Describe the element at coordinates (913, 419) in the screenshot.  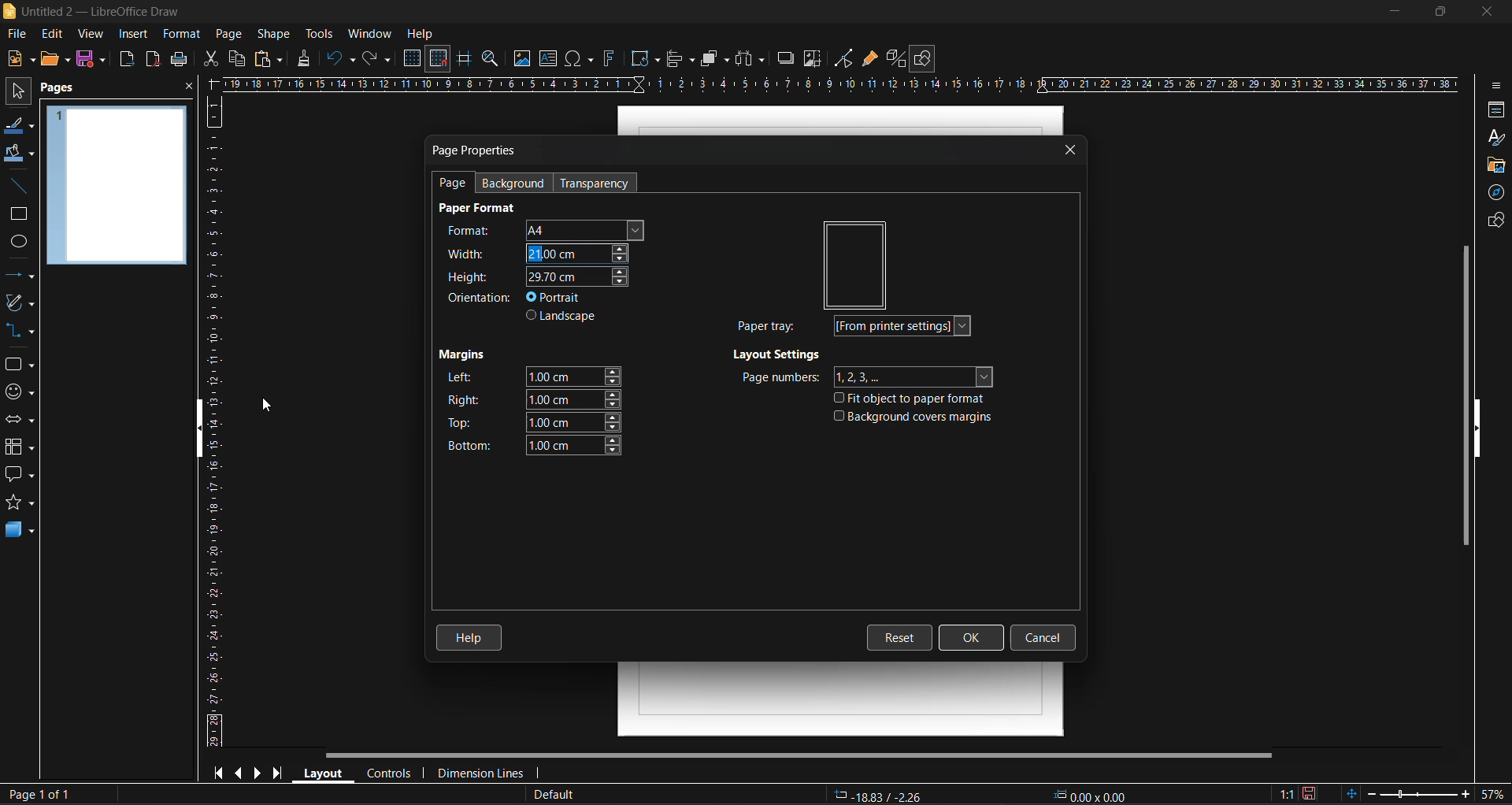
I see `background covers margins` at that location.